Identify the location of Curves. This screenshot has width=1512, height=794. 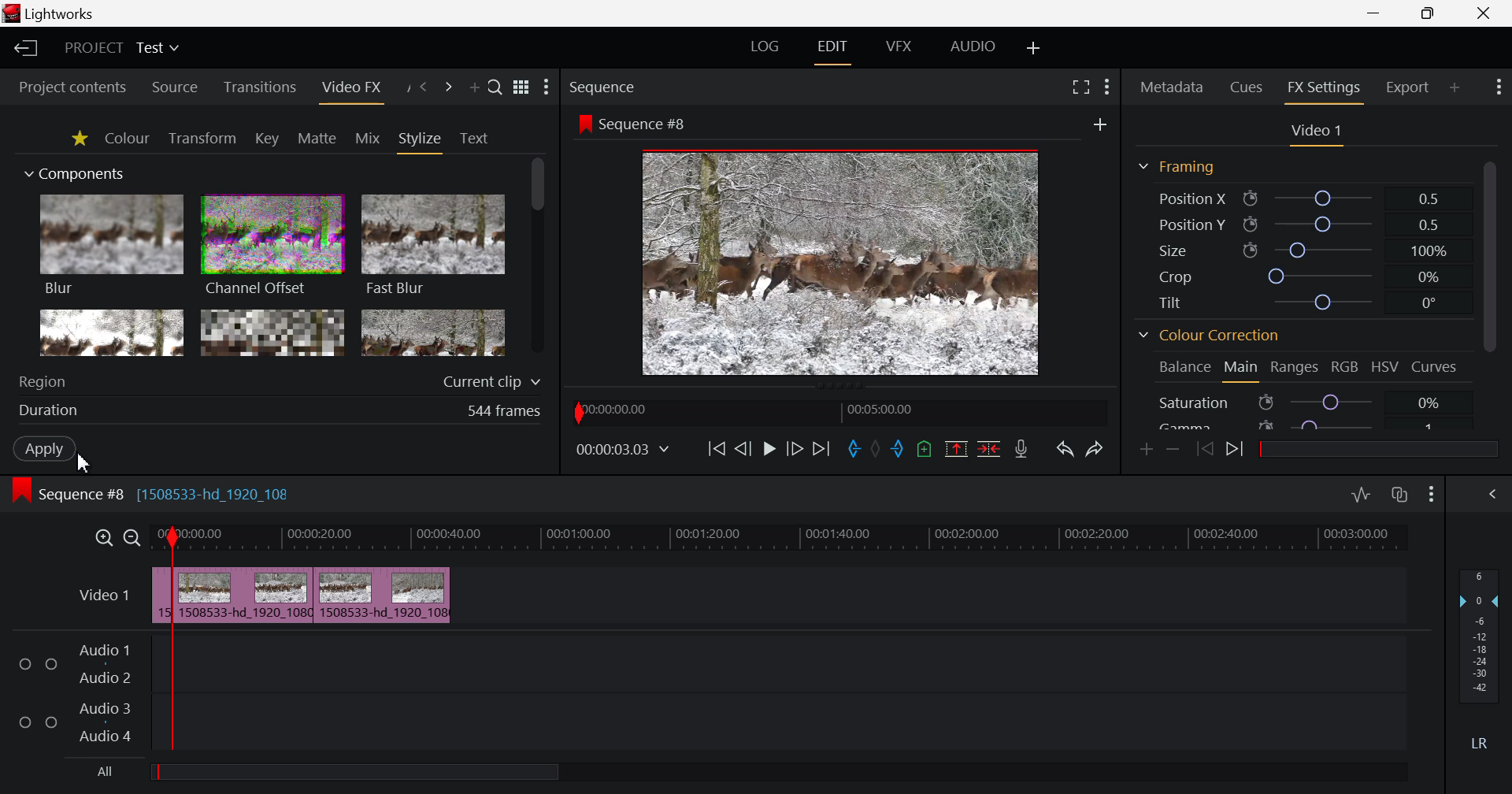
(1436, 366).